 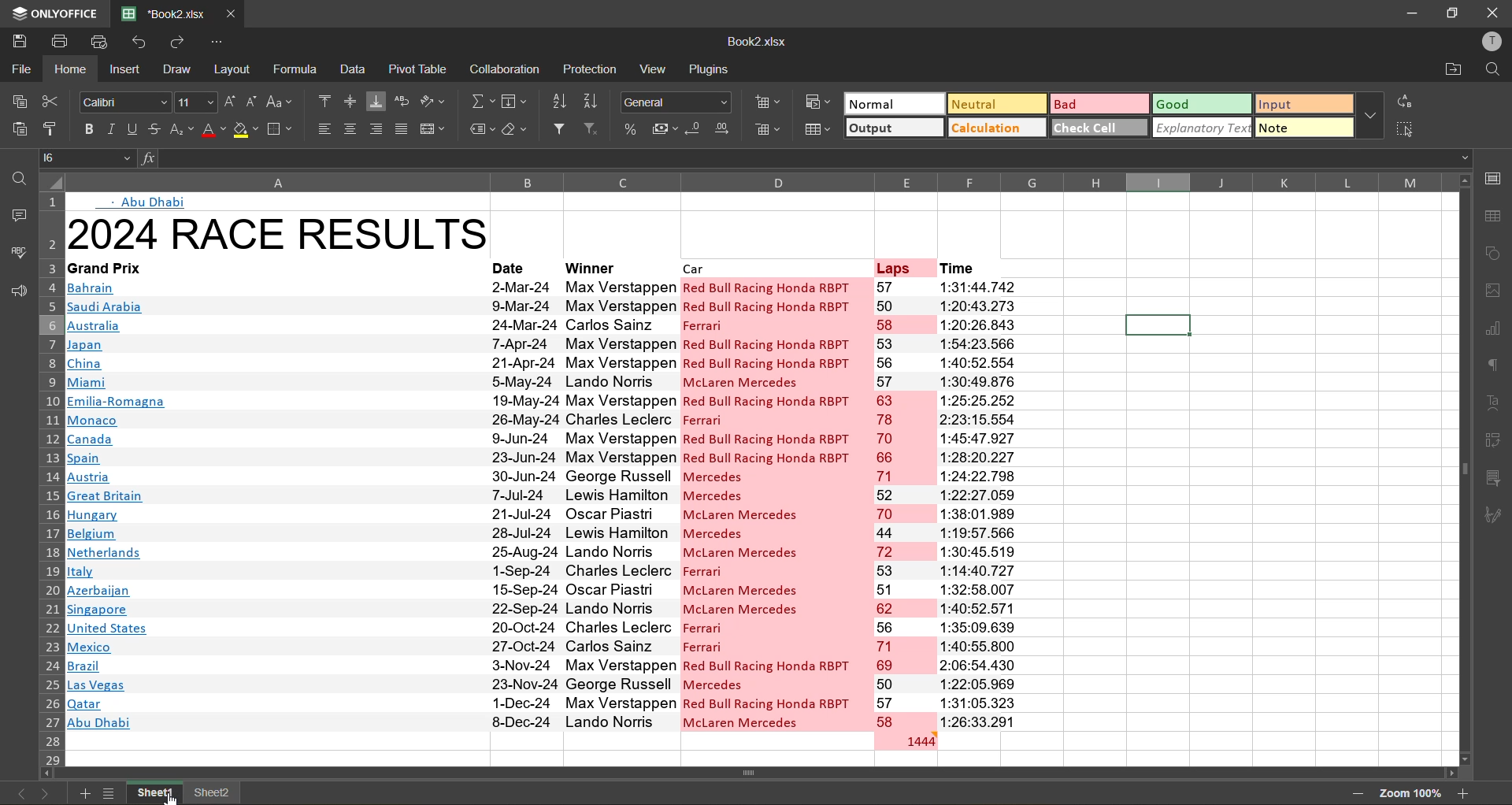 What do you see at coordinates (1490, 71) in the screenshot?
I see `find` at bounding box center [1490, 71].